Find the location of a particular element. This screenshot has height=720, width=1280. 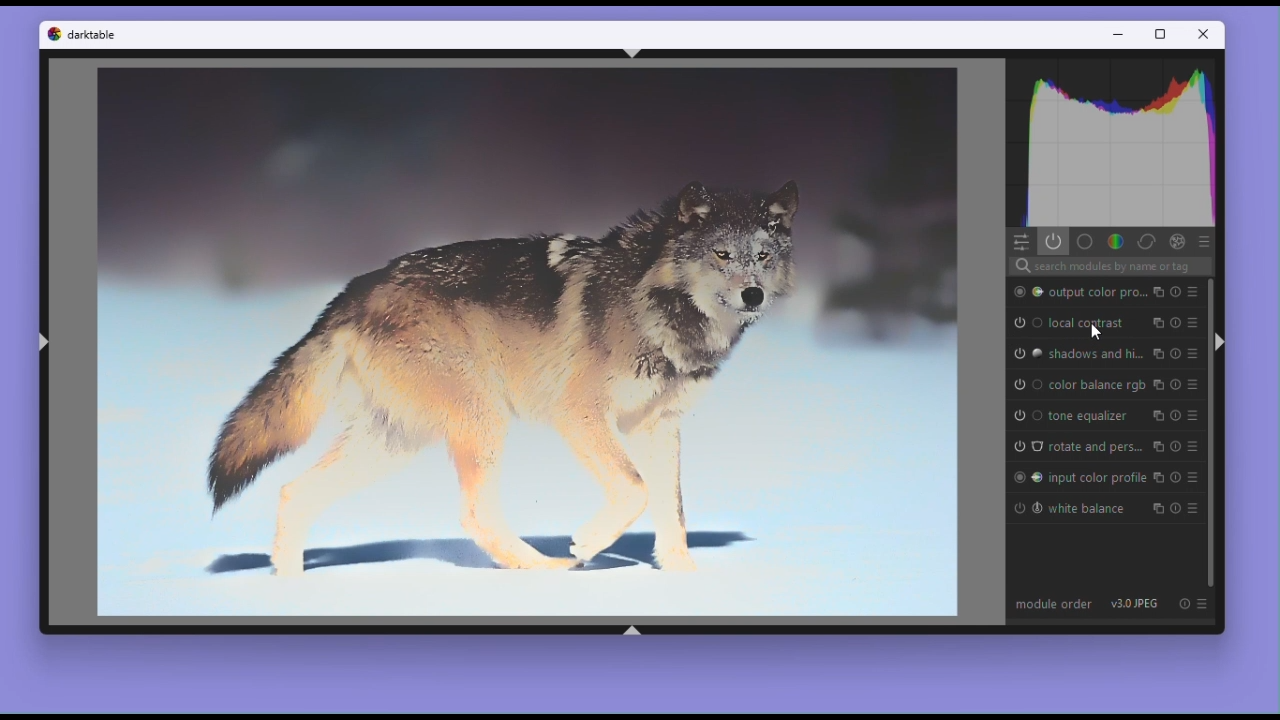

shift+ctrl+l is located at coordinates (50, 343).